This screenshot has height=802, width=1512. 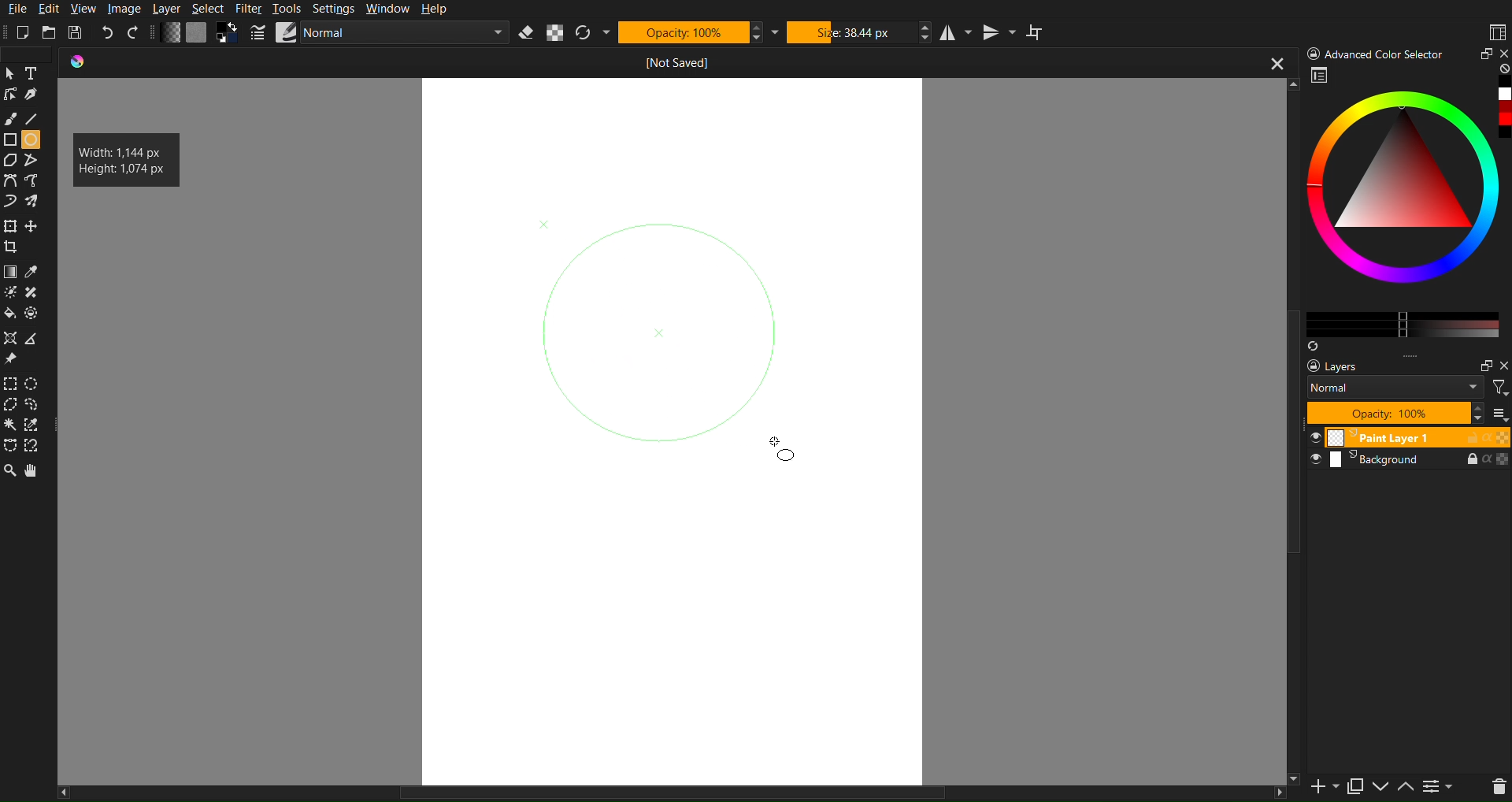 What do you see at coordinates (1314, 345) in the screenshot?
I see `Syns` at bounding box center [1314, 345].